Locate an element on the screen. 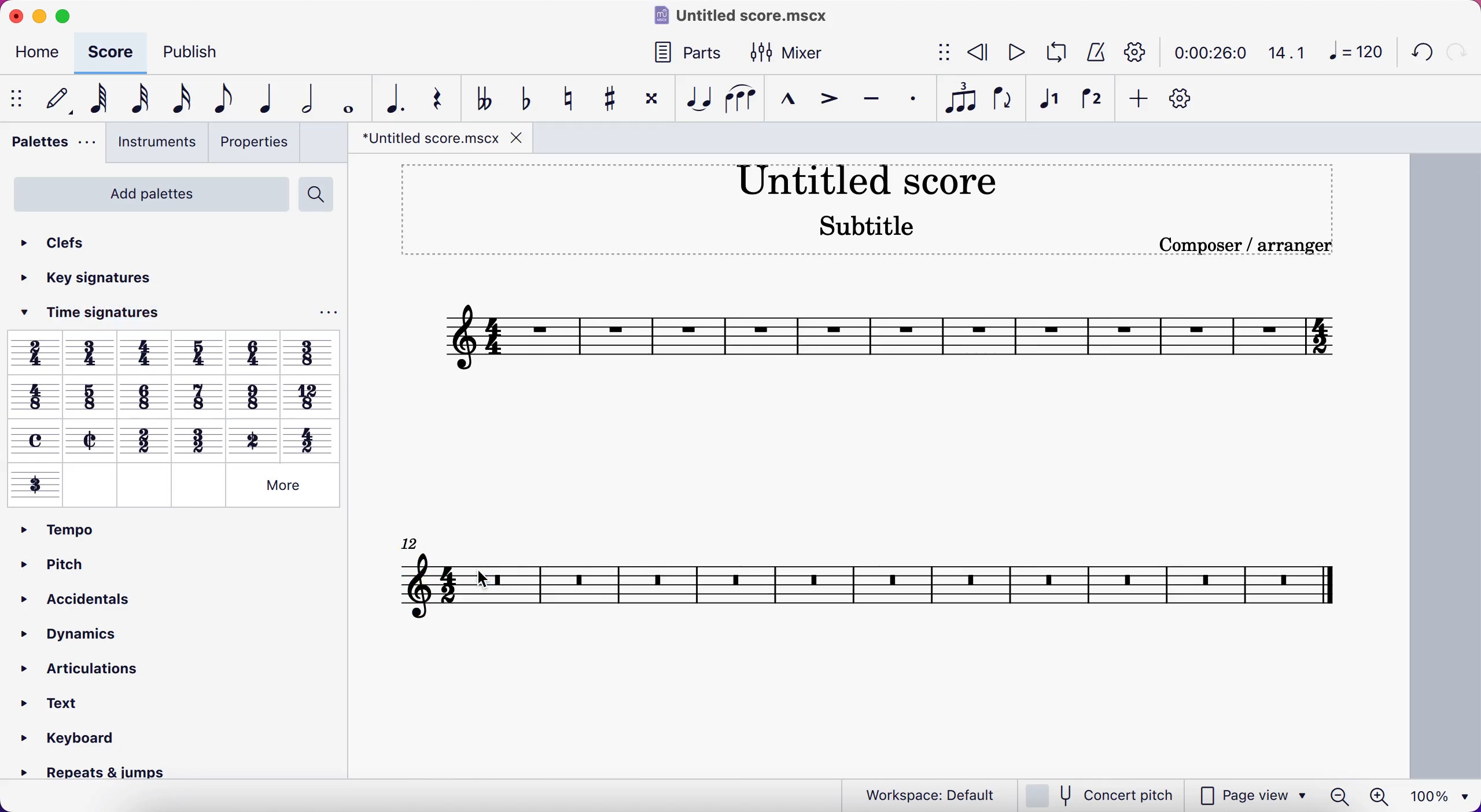 Image resolution: width=1481 pixels, height=812 pixels.  is located at coordinates (36, 485).